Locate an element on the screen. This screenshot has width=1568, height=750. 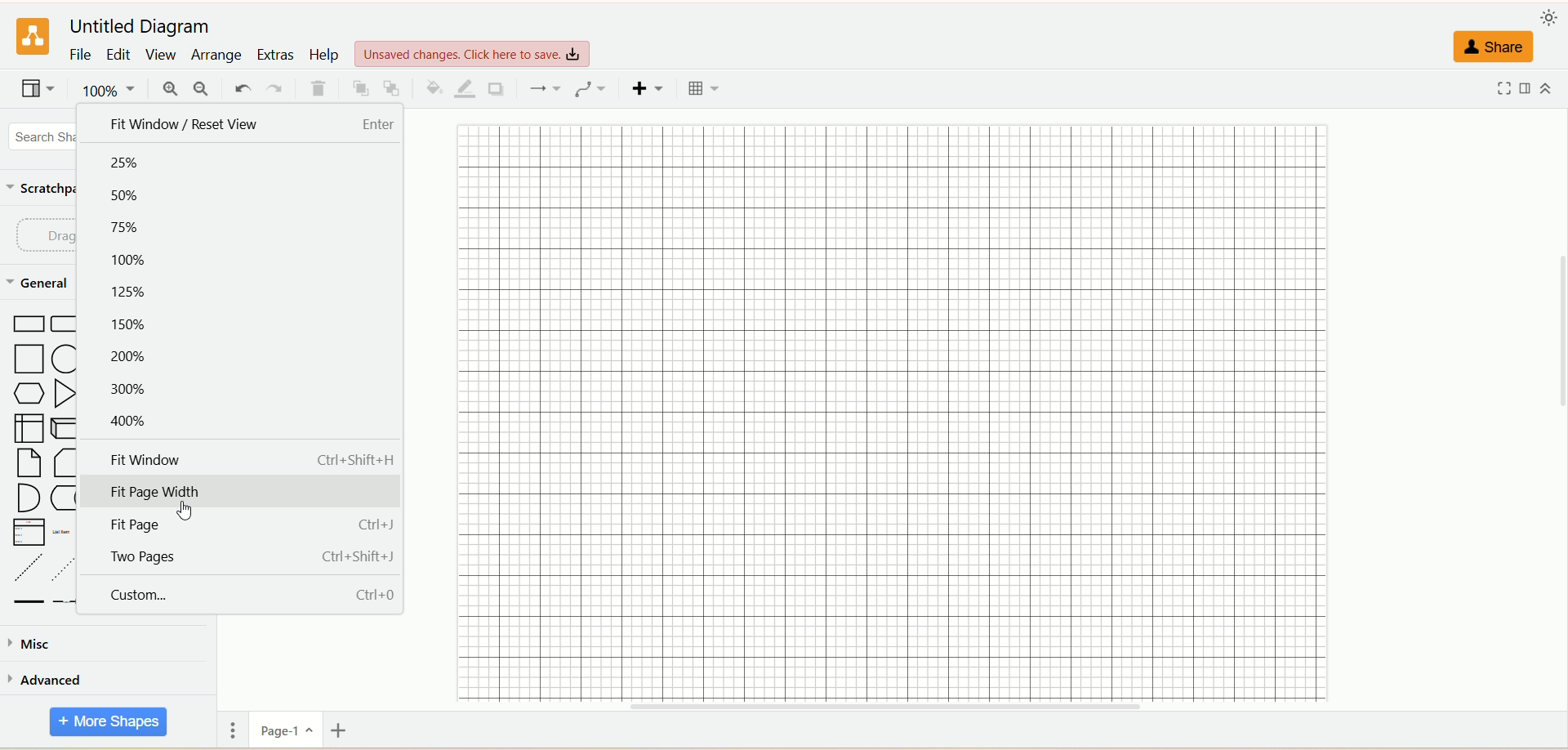
logo is located at coordinates (32, 35).